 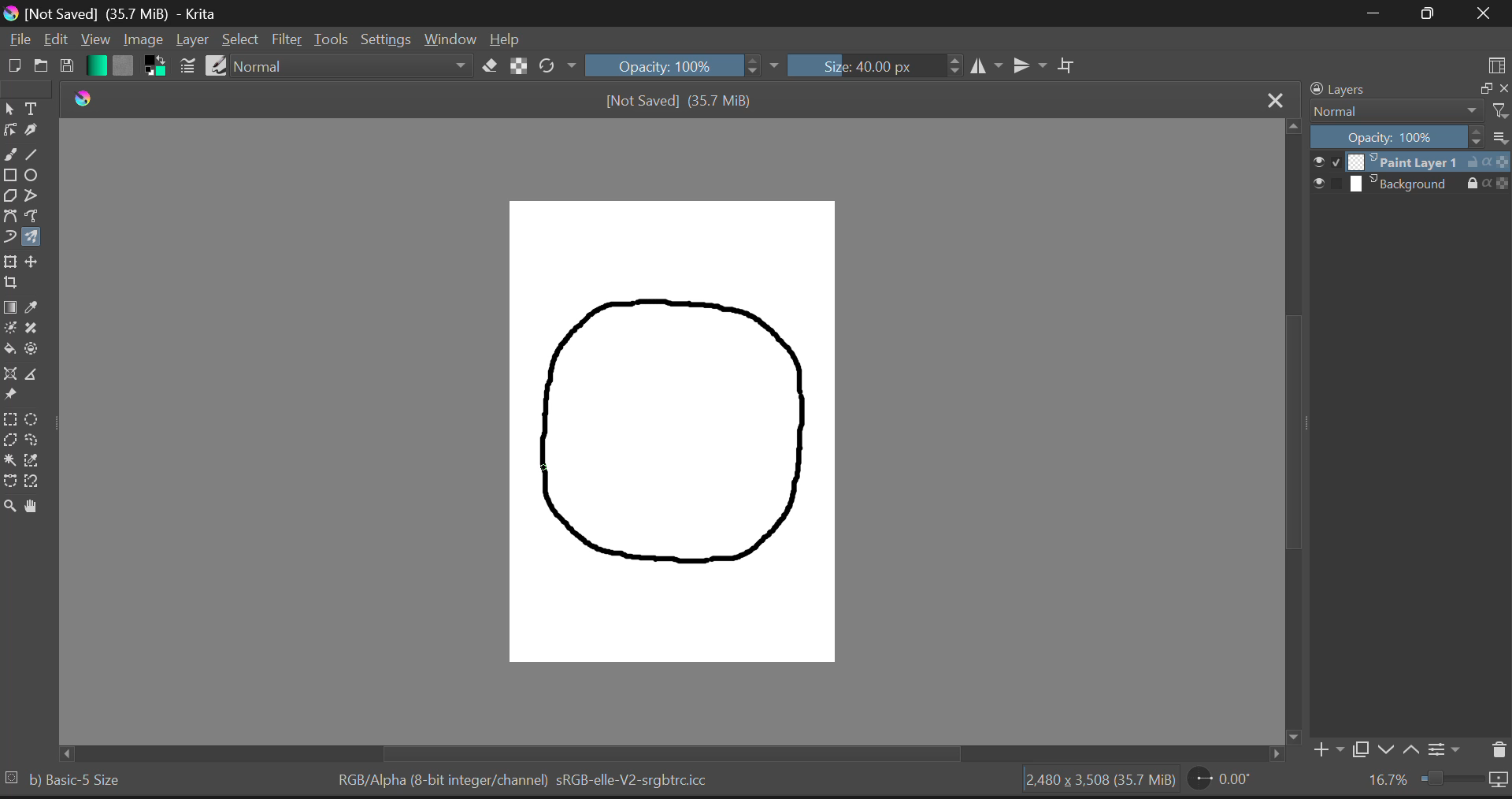 I want to click on b) Basic-5 Size, so click(x=79, y=780).